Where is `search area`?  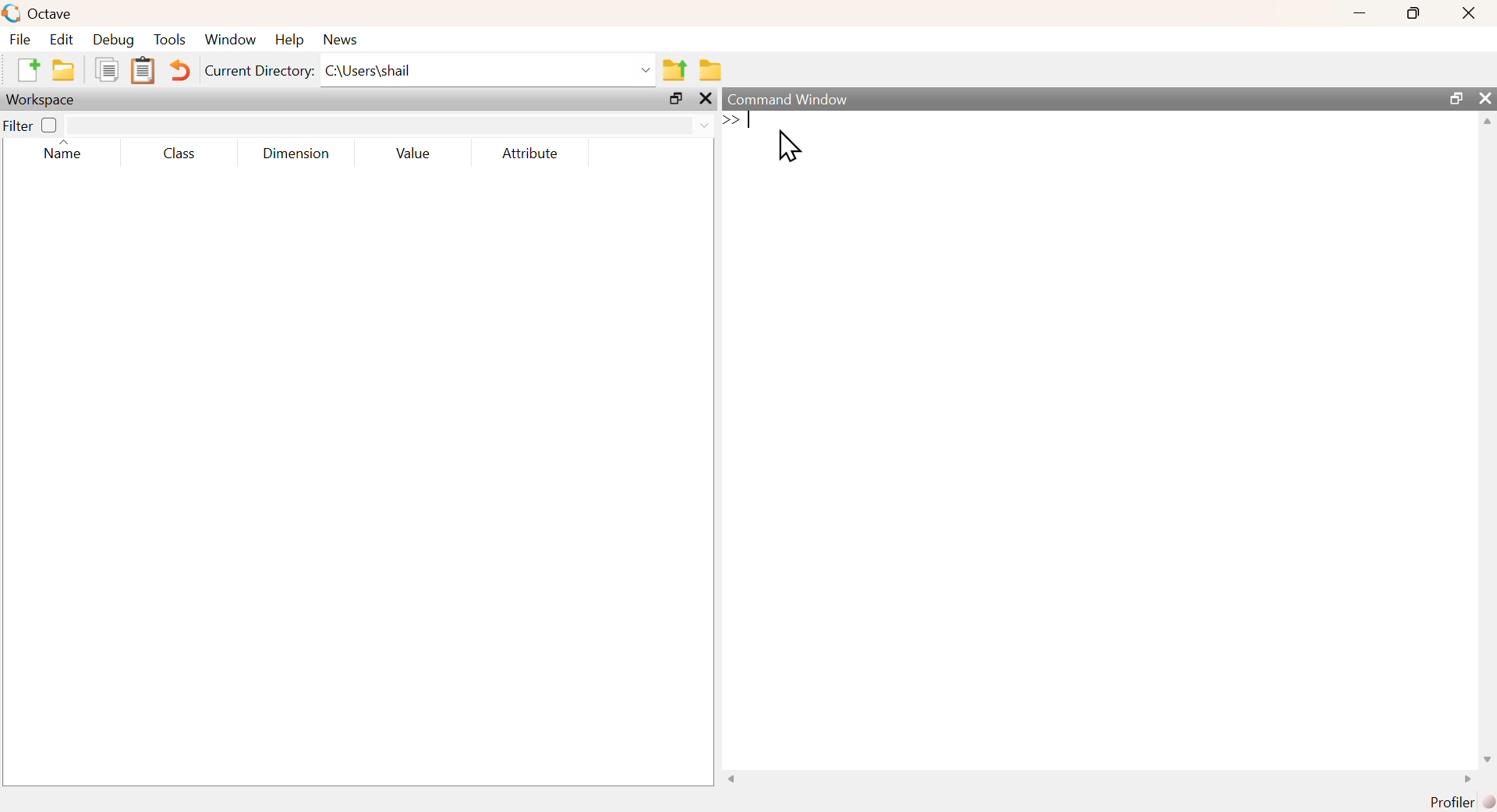 search area is located at coordinates (391, 125).